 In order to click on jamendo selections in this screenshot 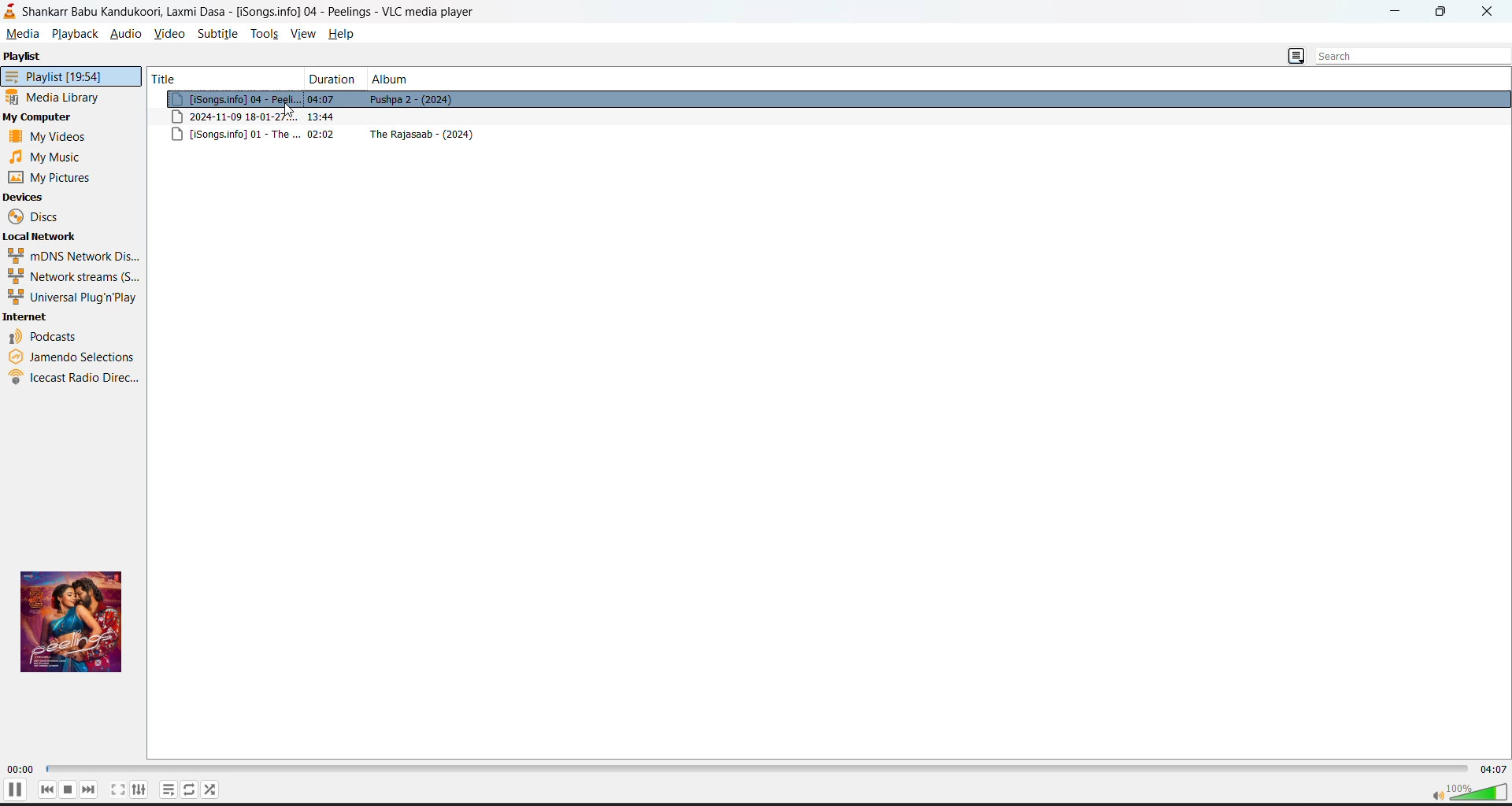, I will do `click(74, 357)`.